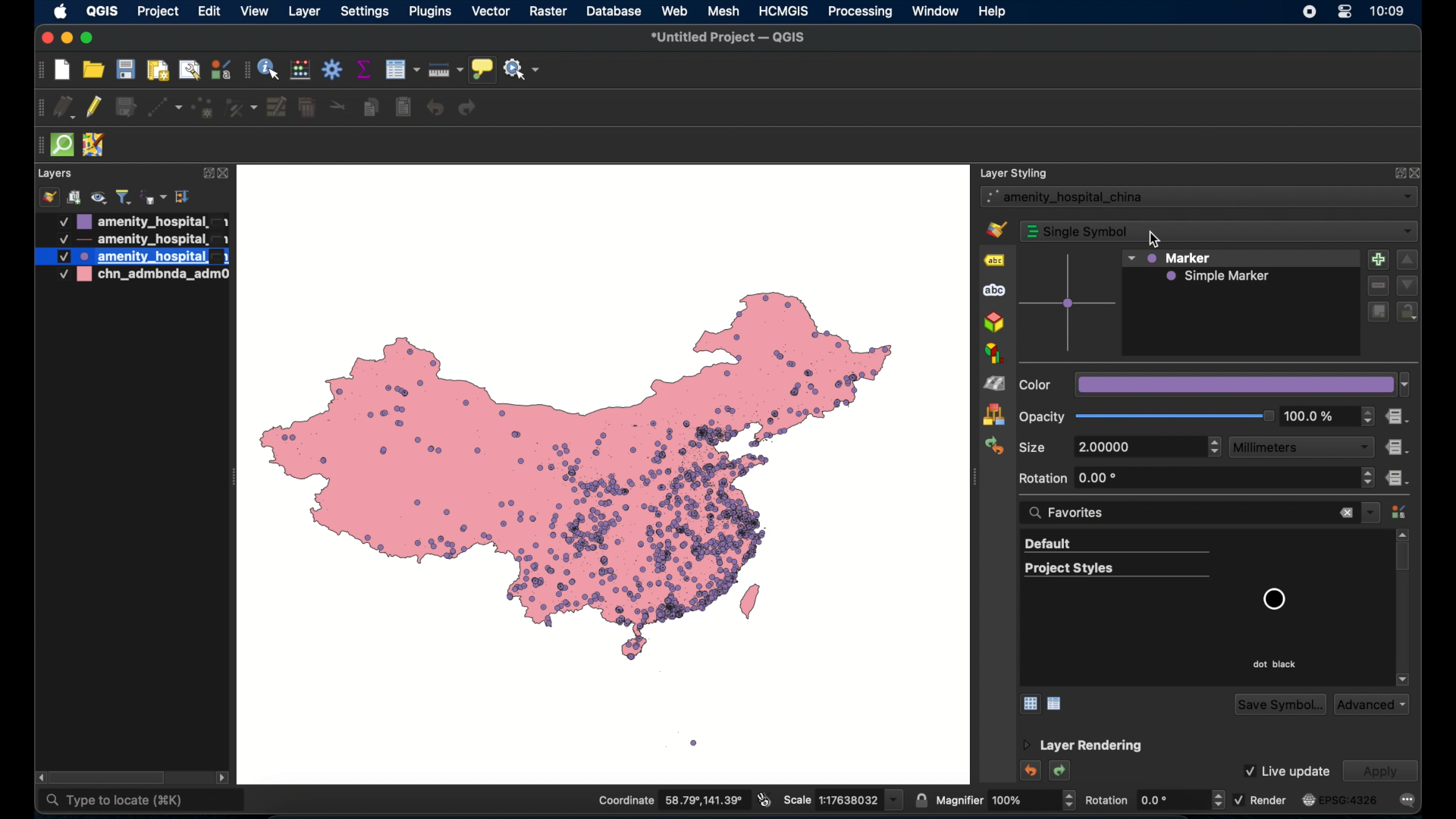  Describe the element at coordinates (920, 801) in the screenshot. I see `lock scale` at that location.